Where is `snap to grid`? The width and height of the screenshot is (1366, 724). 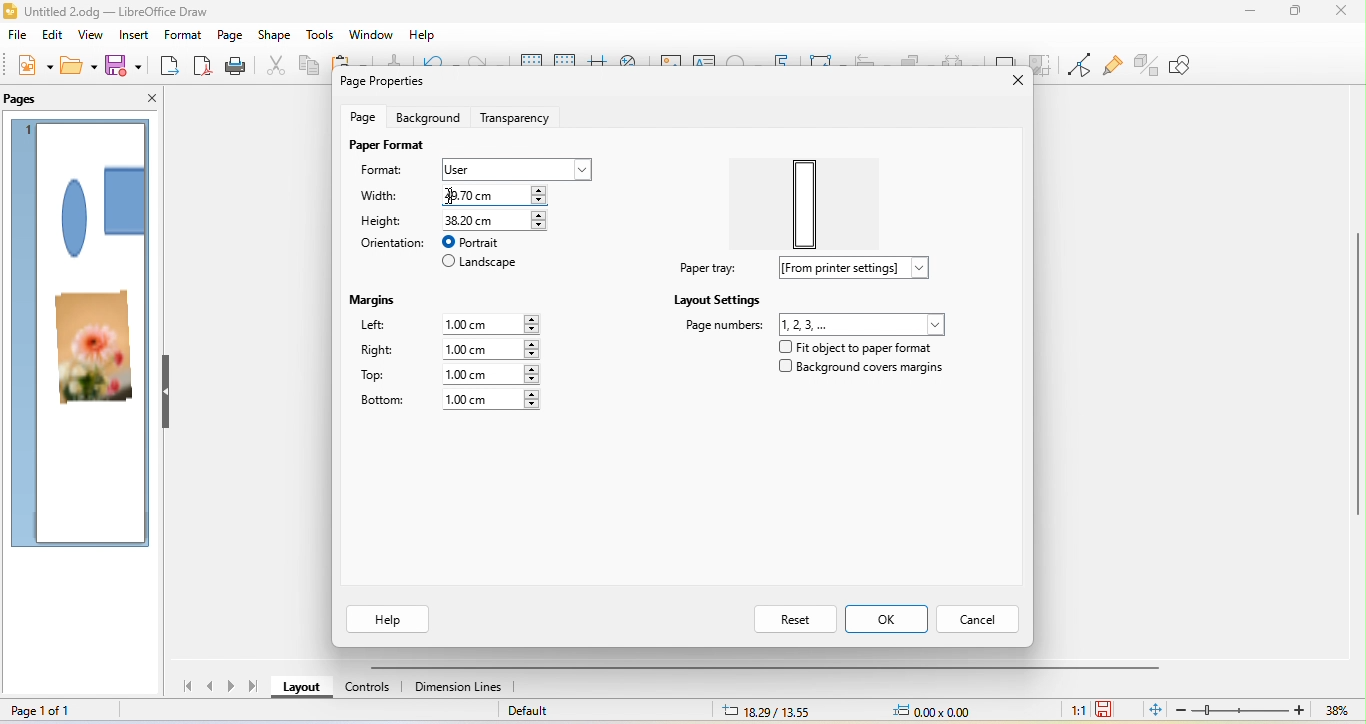
snap to grid is located at coordinates (566, 63).